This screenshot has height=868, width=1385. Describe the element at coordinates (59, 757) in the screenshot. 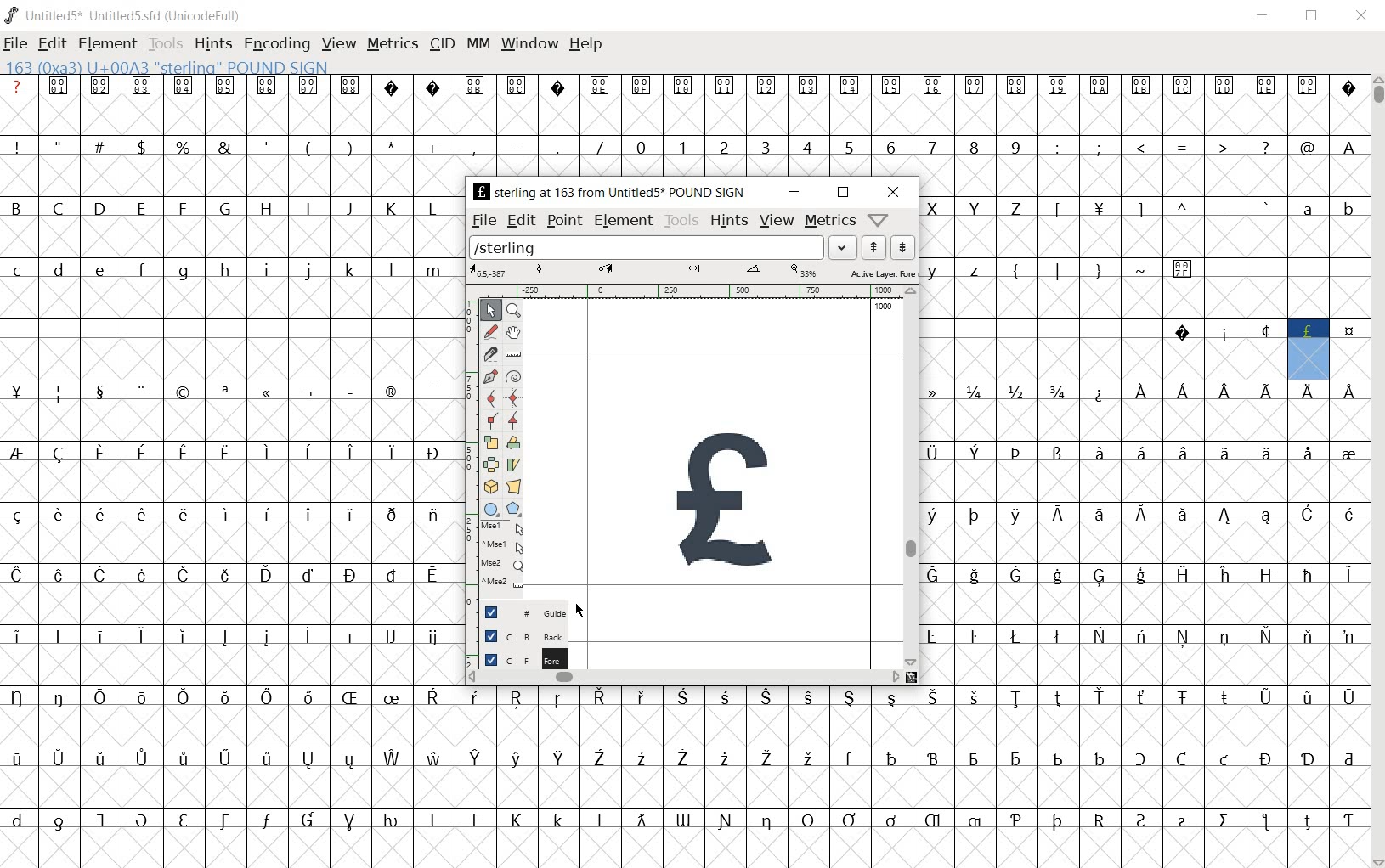

I see `Symbol` at that location.